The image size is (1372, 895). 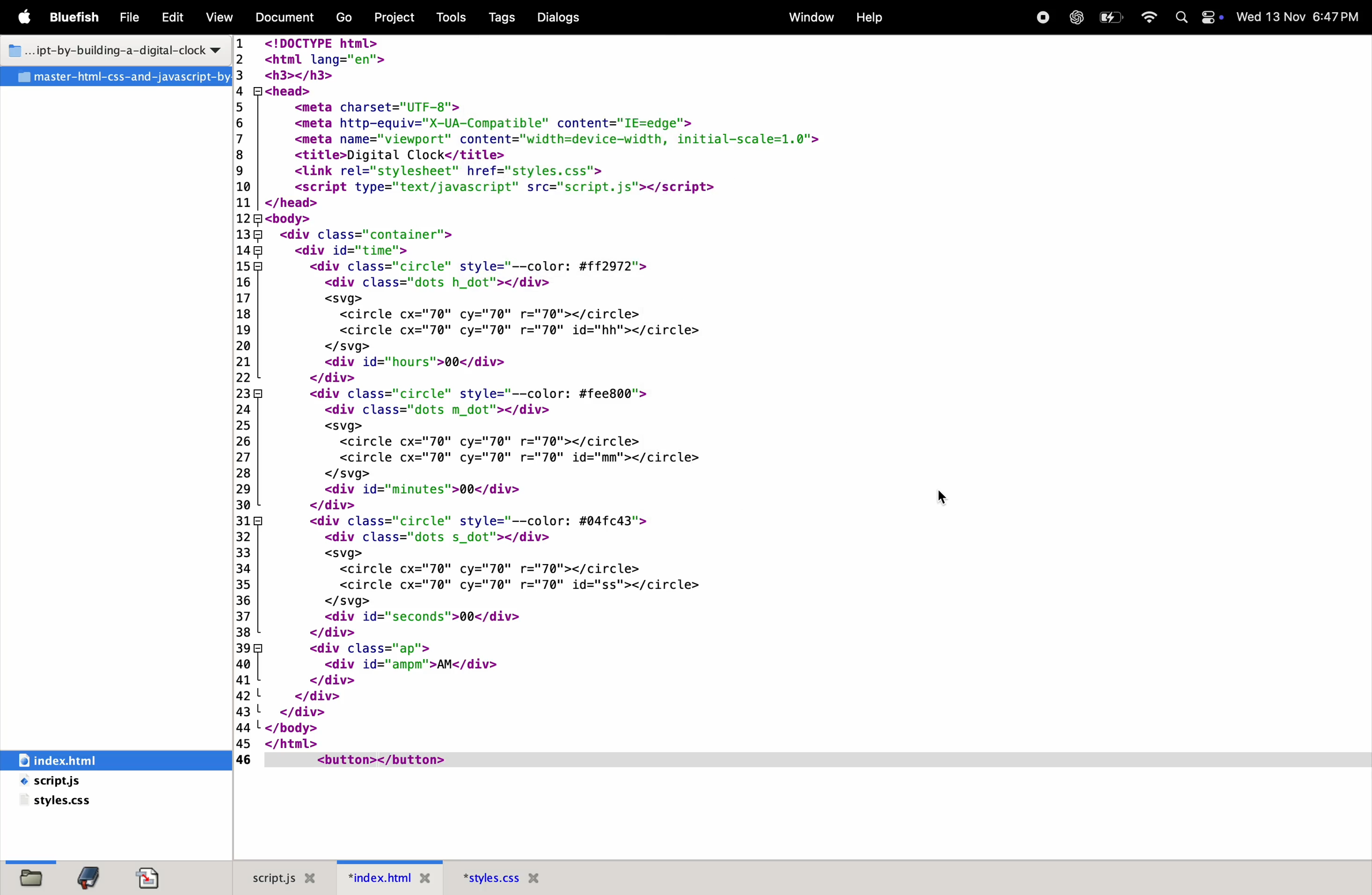 What do you see at coordinates (89, 876) in the screenshot?
I see `bookmarks` at bounding box center [89, 876].